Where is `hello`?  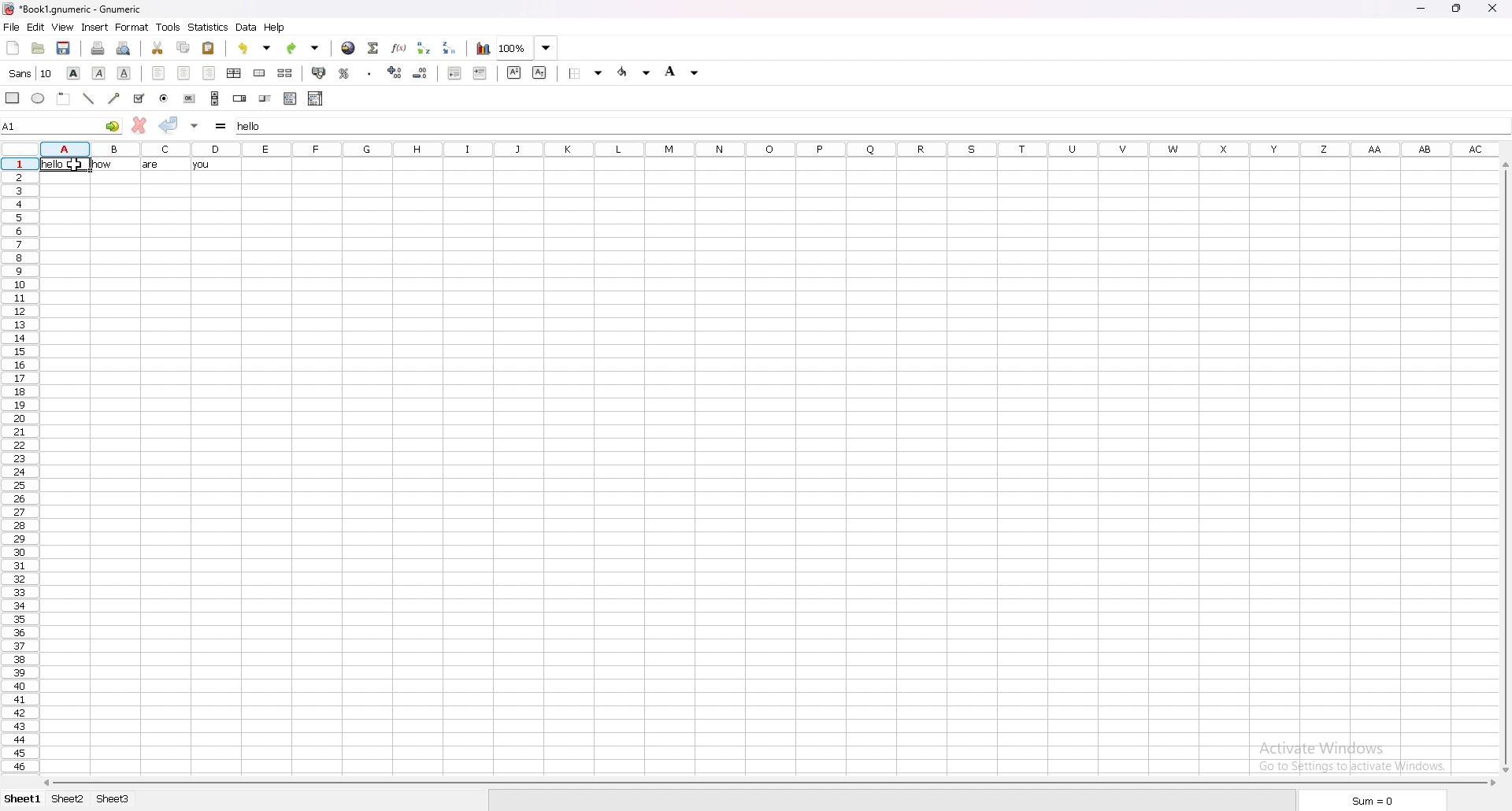
hello is located at coordinates (65, 165).